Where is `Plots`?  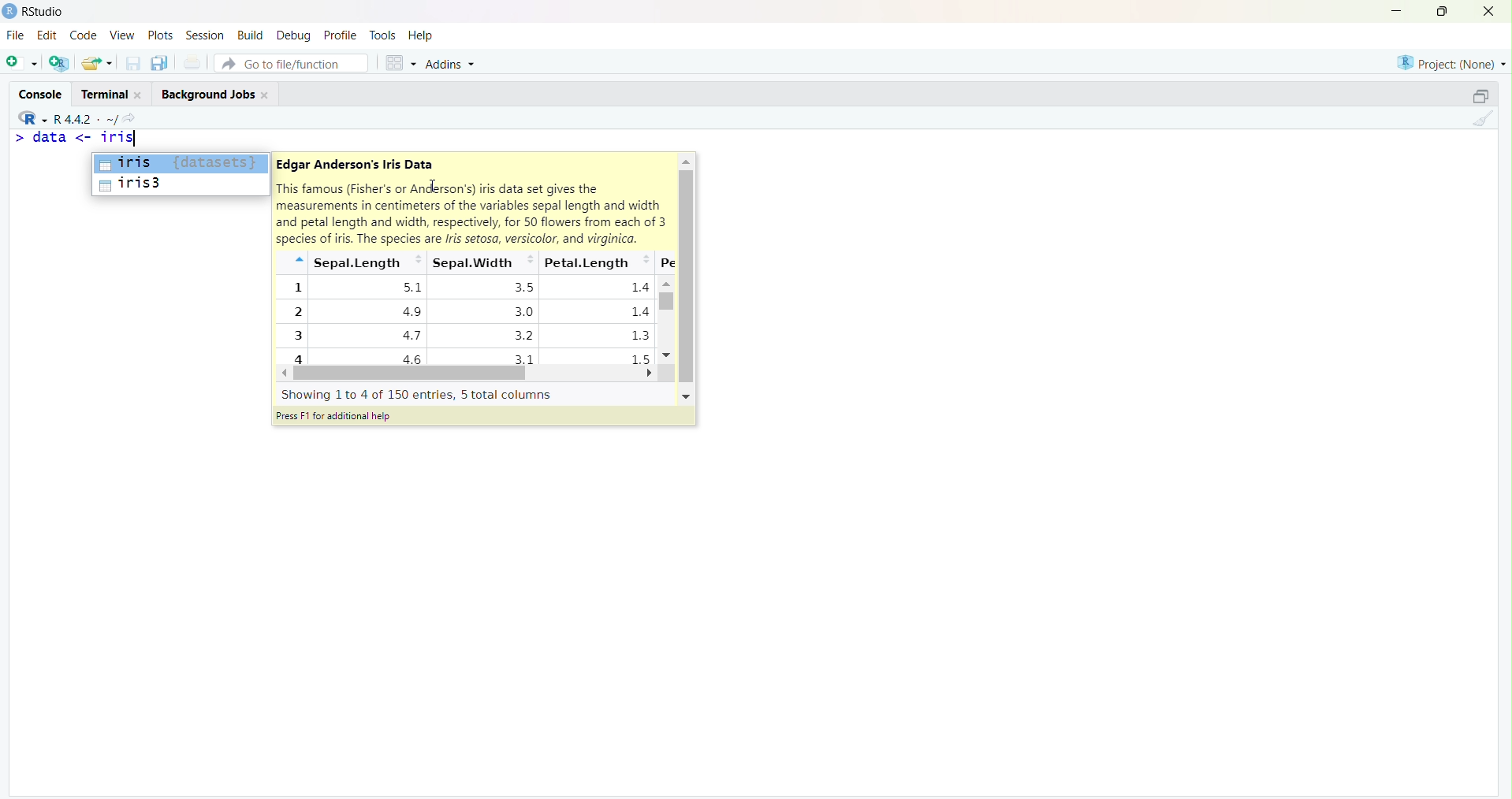
Plots is located at coordinates (160, 35).